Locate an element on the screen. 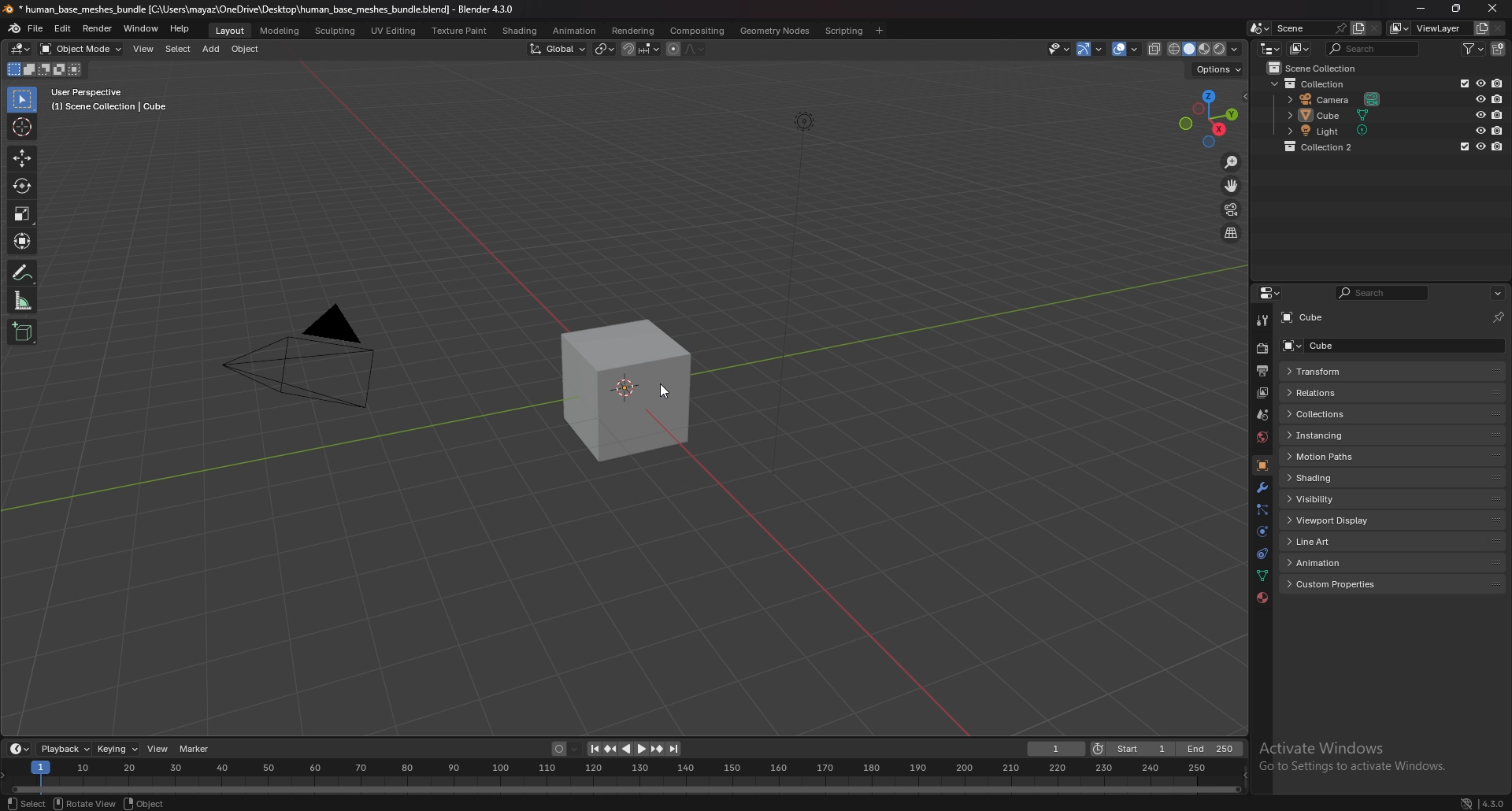  auto keying is located at coordinates (567, 749).